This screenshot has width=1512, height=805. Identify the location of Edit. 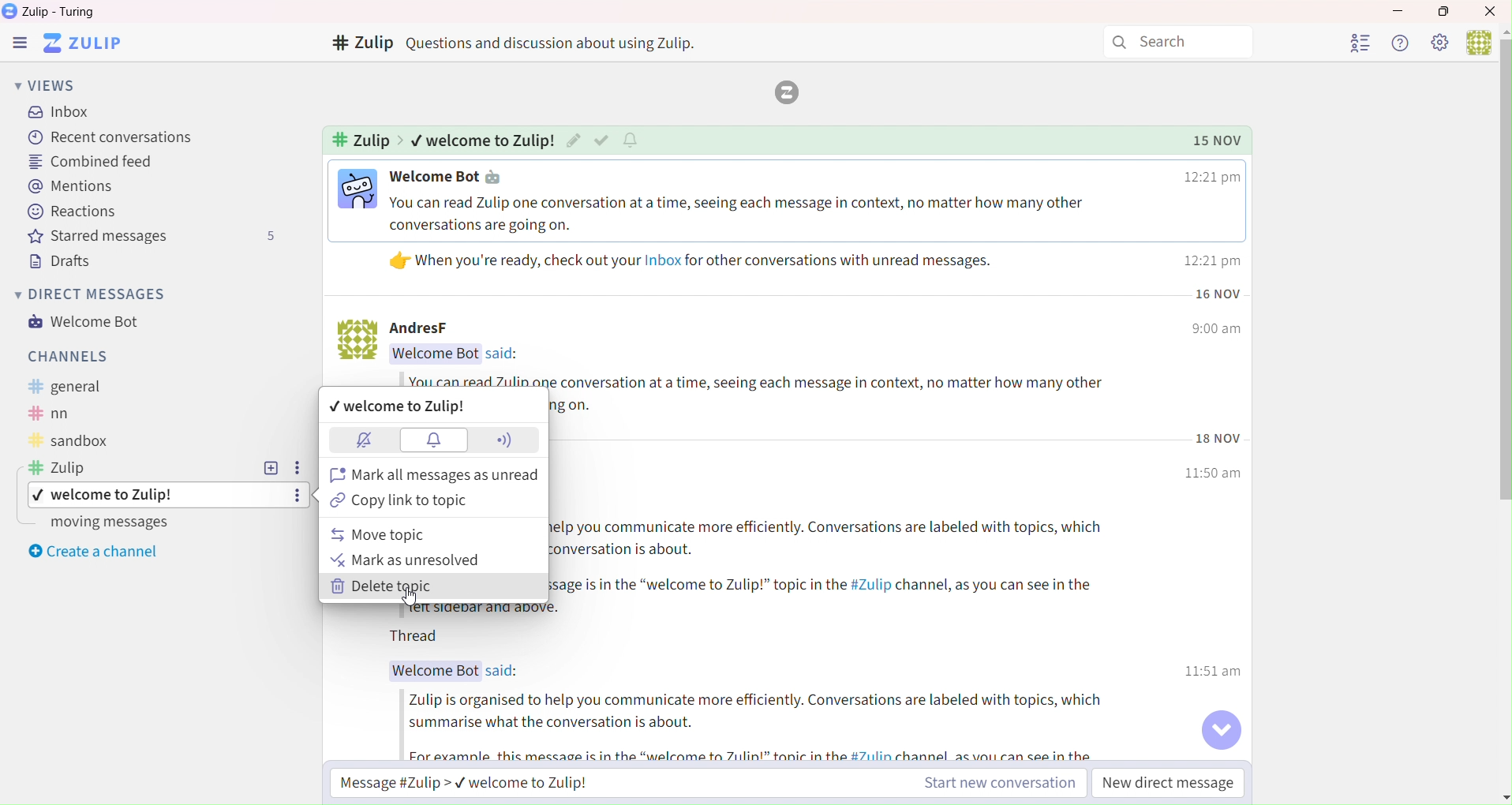
(572, 140).